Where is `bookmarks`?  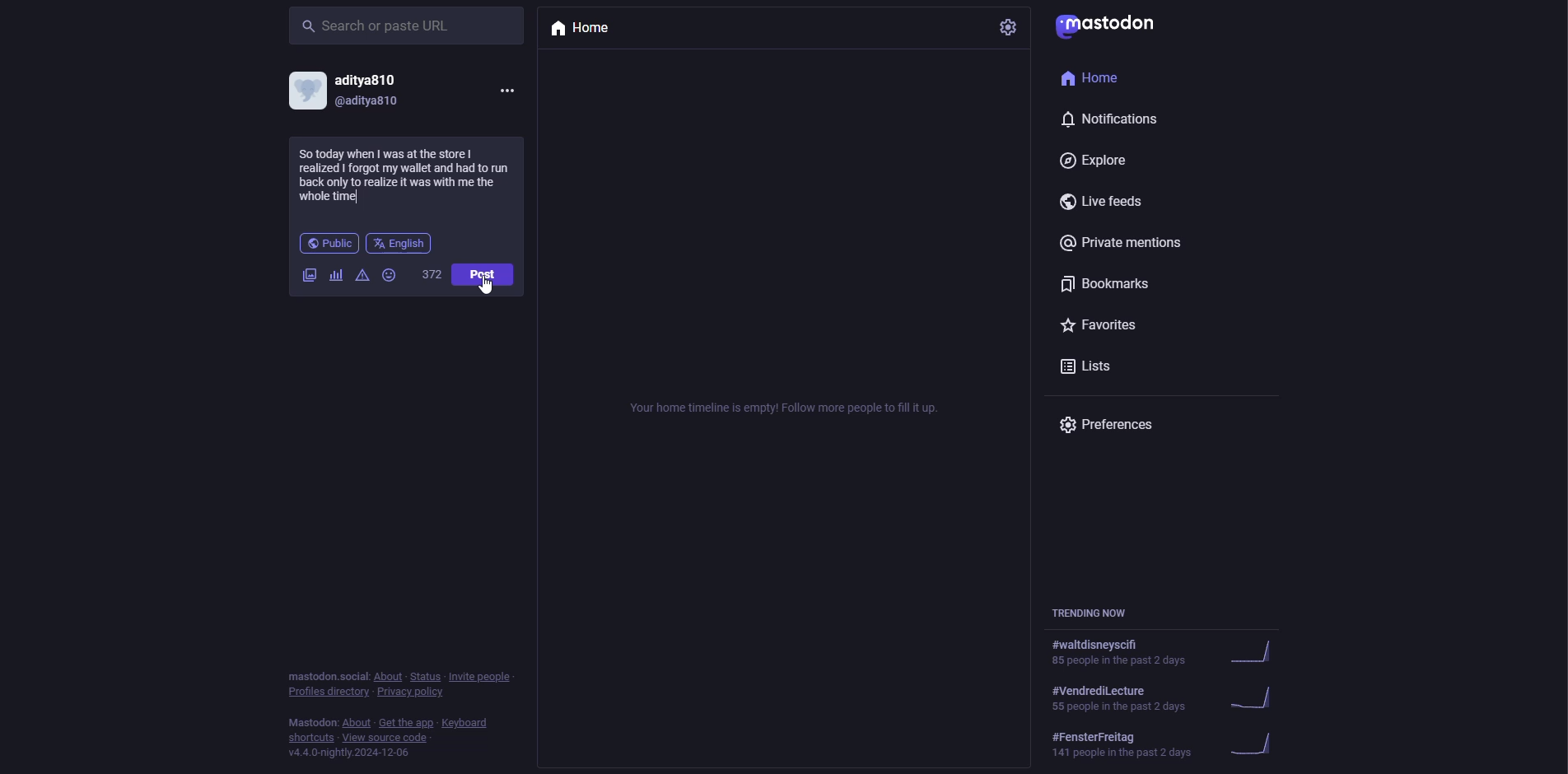
bookmarks is located at coordinates (1106, 284).